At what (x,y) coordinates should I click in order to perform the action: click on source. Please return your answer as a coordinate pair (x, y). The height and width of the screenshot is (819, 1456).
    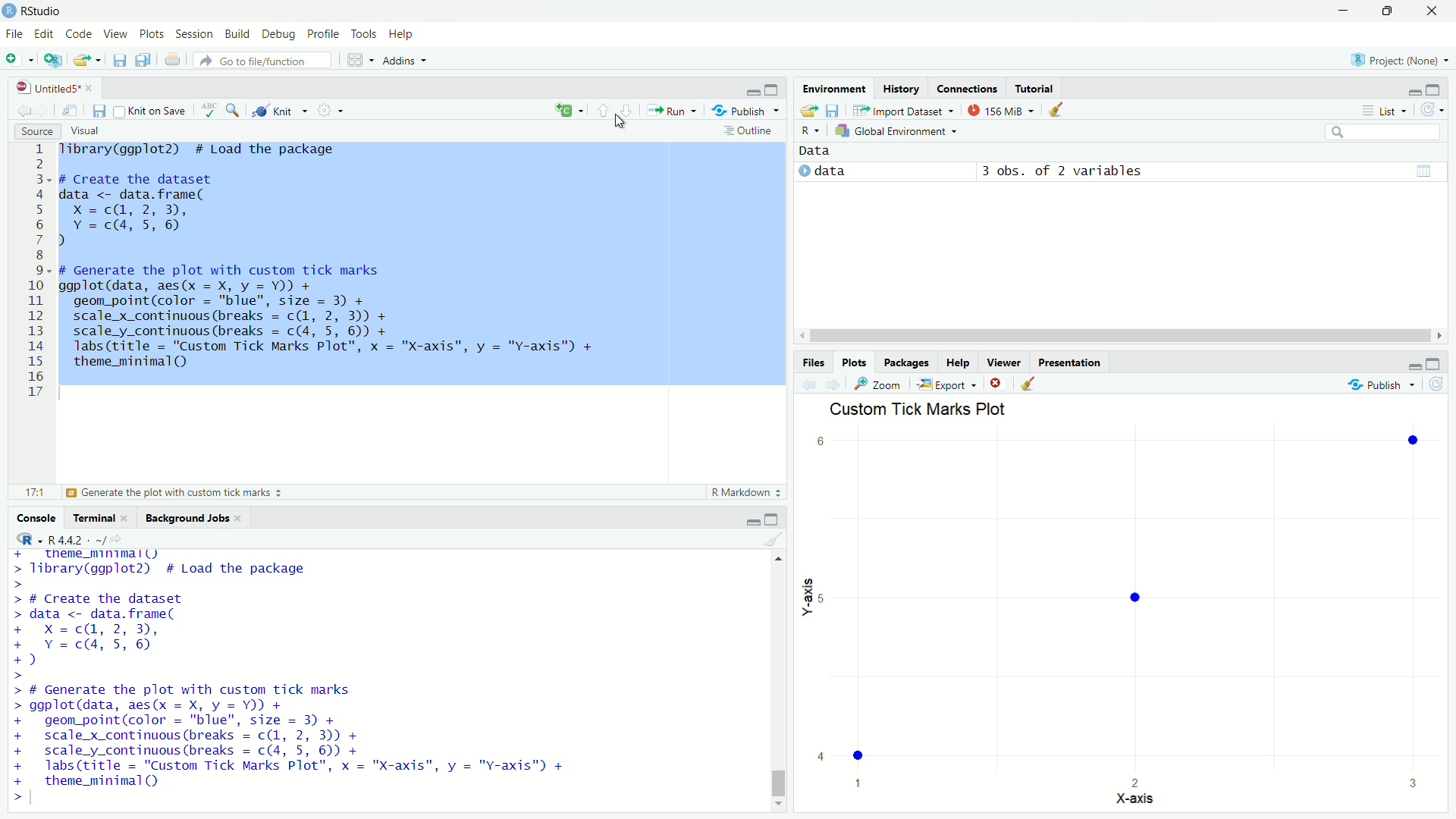
    Looking at the image, I should click on (32, 131).